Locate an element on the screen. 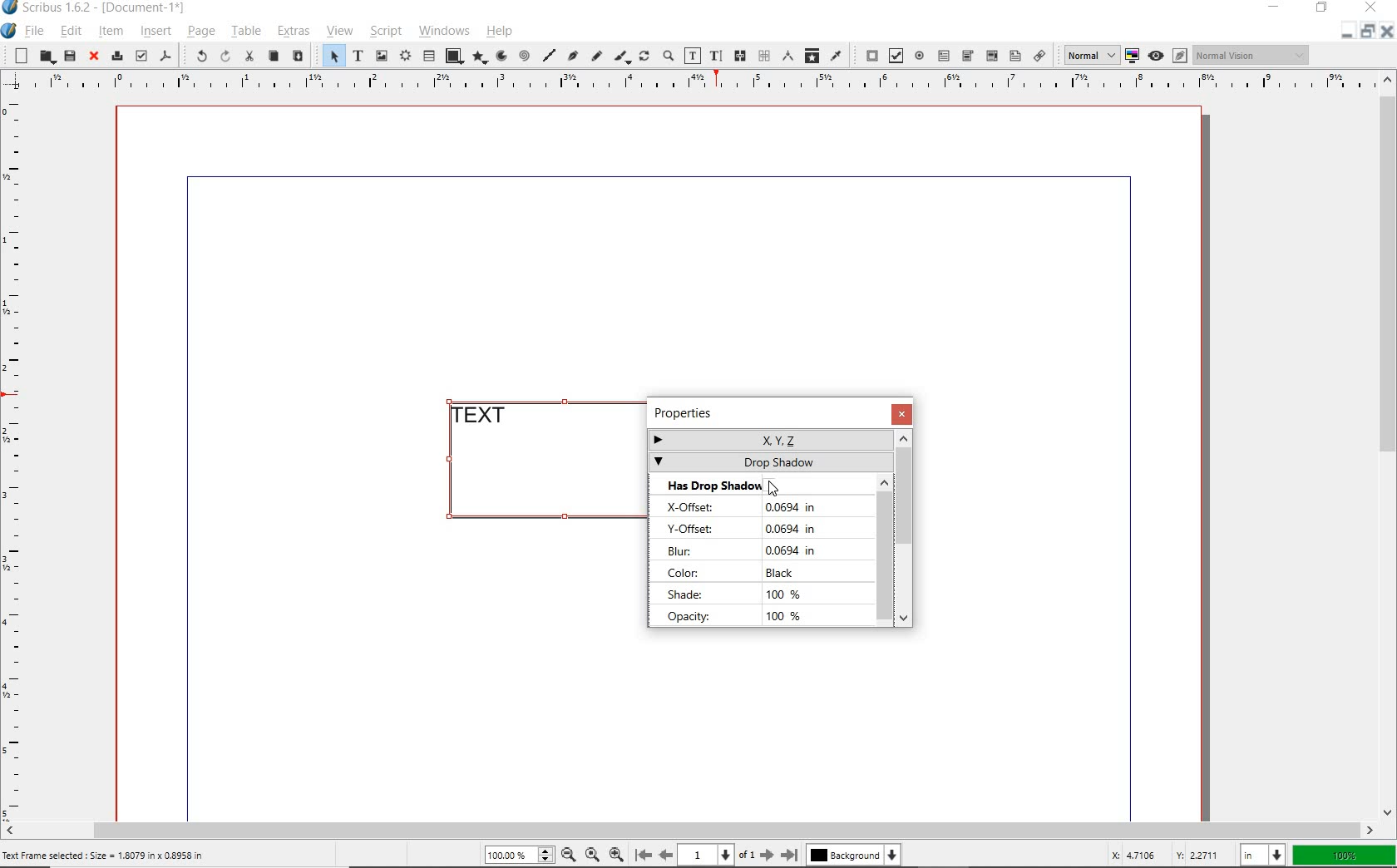 This screenshot has height=868, width=1397. Horizontal Margins is located at coordinates (698, 81).